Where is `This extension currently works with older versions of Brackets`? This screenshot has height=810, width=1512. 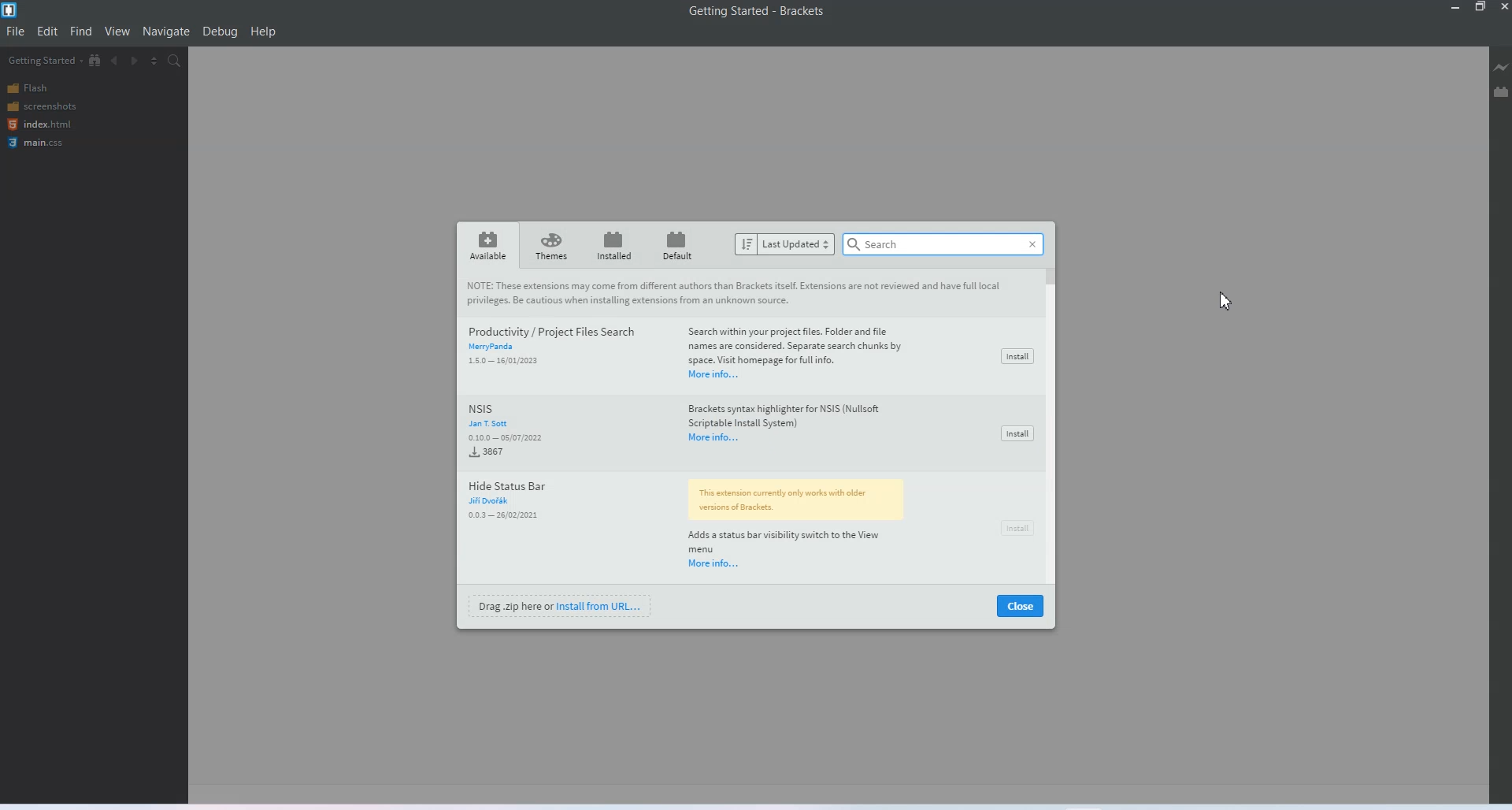
This extension currently works with older versions of Brackets is located at coordinates (797, 496).